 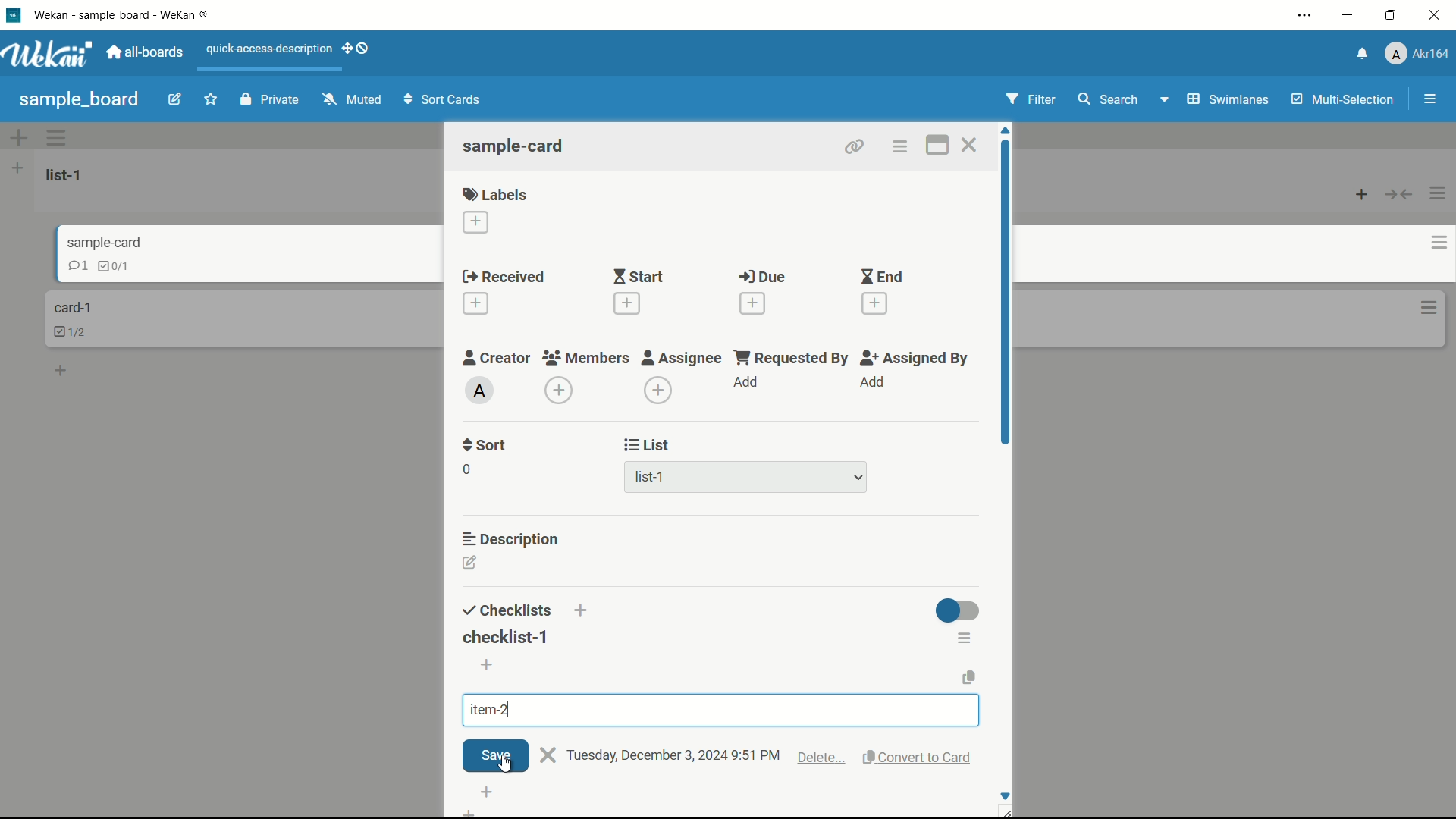 I want to click on add, so click(x=64, y=373).